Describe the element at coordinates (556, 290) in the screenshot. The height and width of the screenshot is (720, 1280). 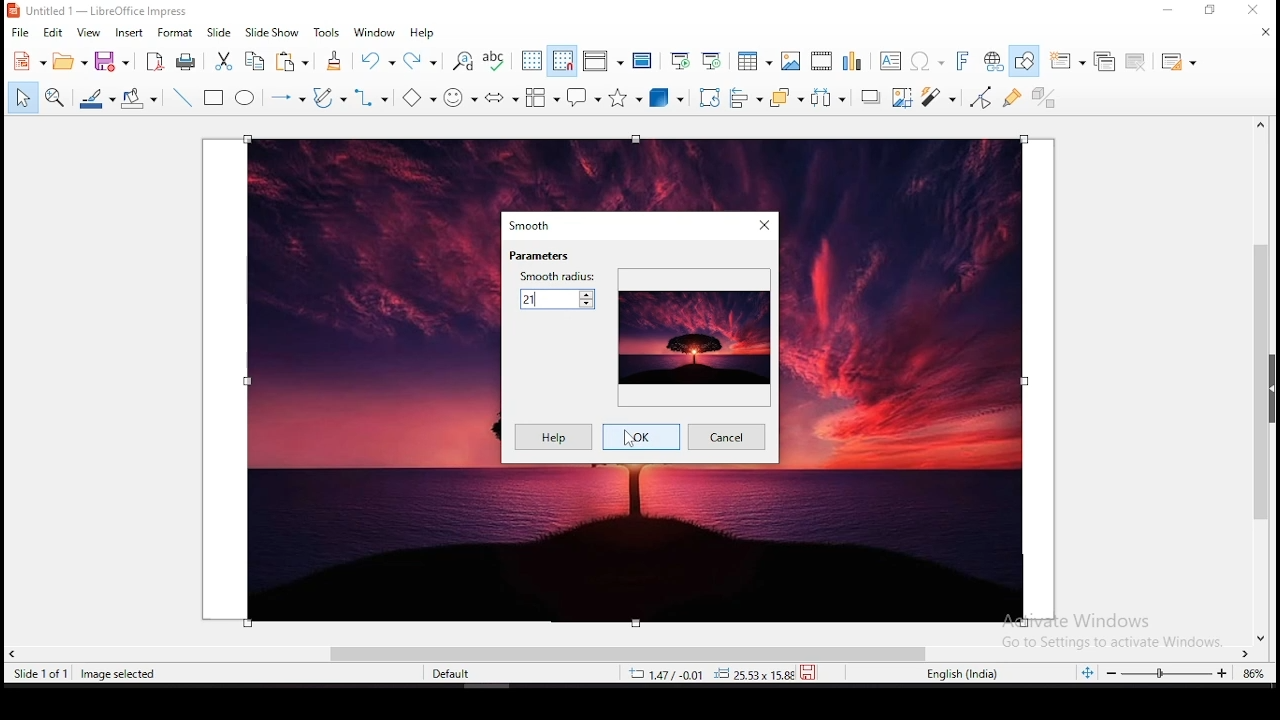
I see `smooth radius` at that location.